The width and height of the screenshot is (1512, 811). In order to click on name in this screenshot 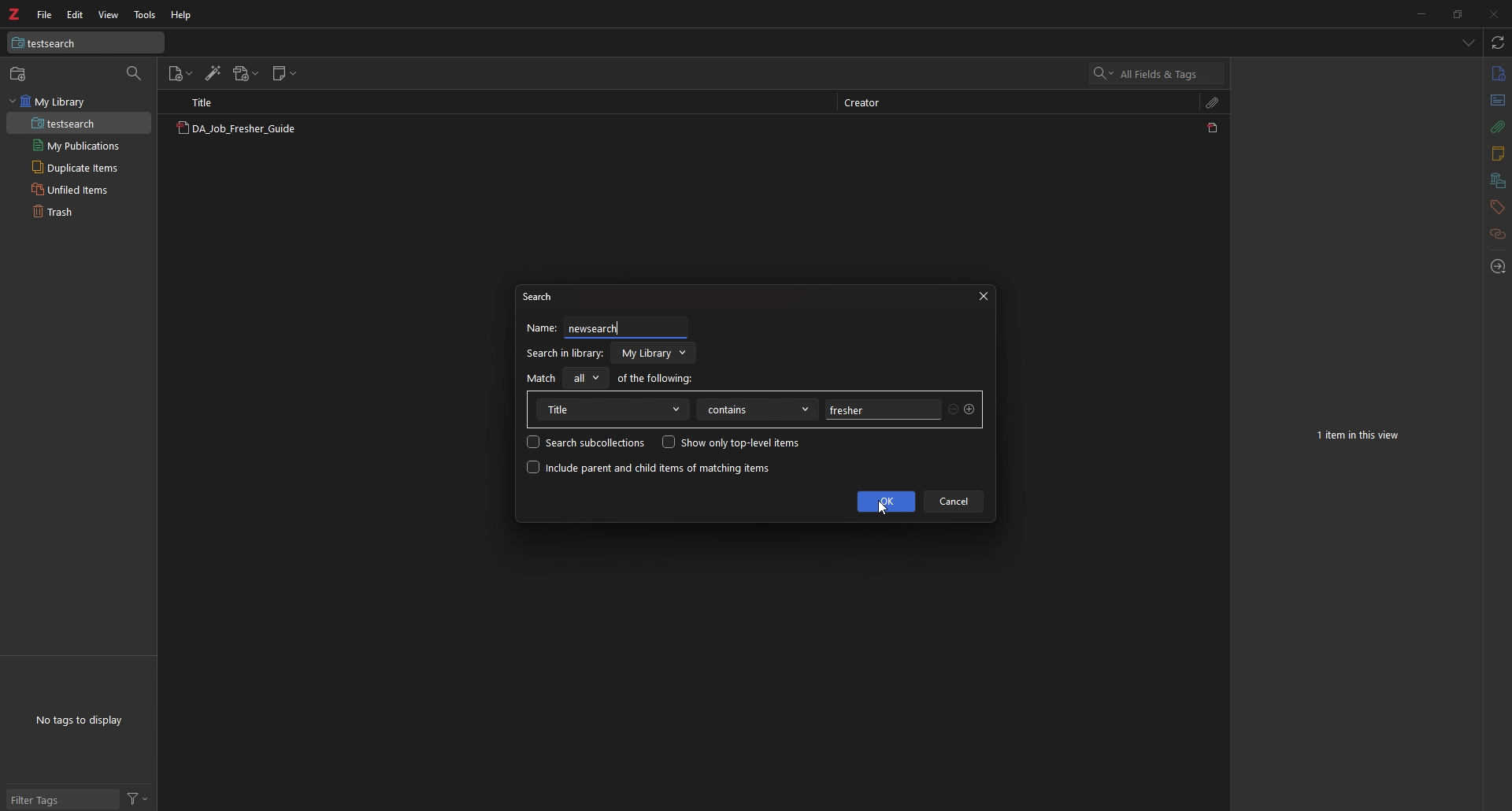, I will do `click(542, 328)`.